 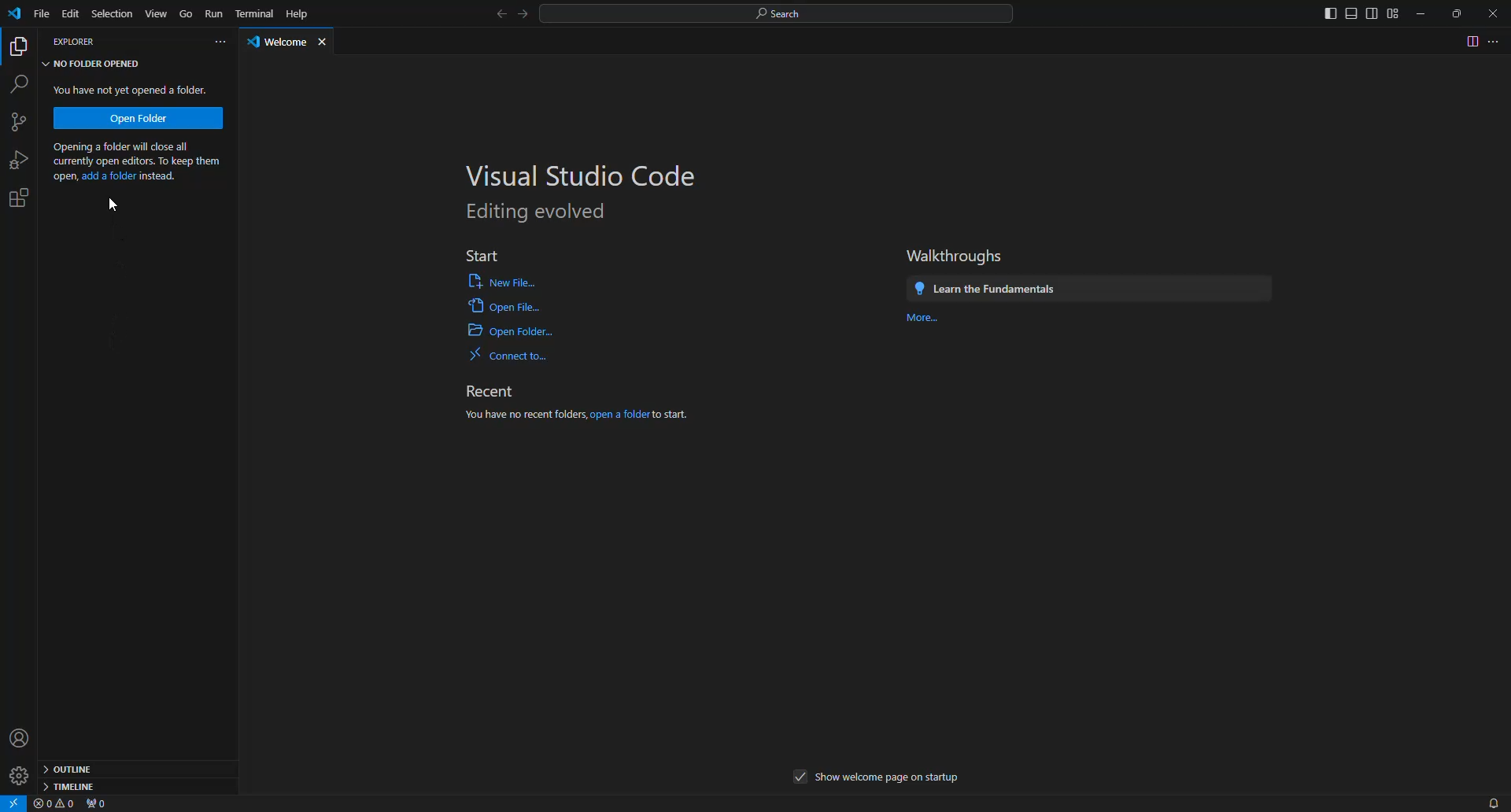 What do you see at coordinates (511, 331) in the screenshot?
I see `open folder` at bounding box center [511, 331].